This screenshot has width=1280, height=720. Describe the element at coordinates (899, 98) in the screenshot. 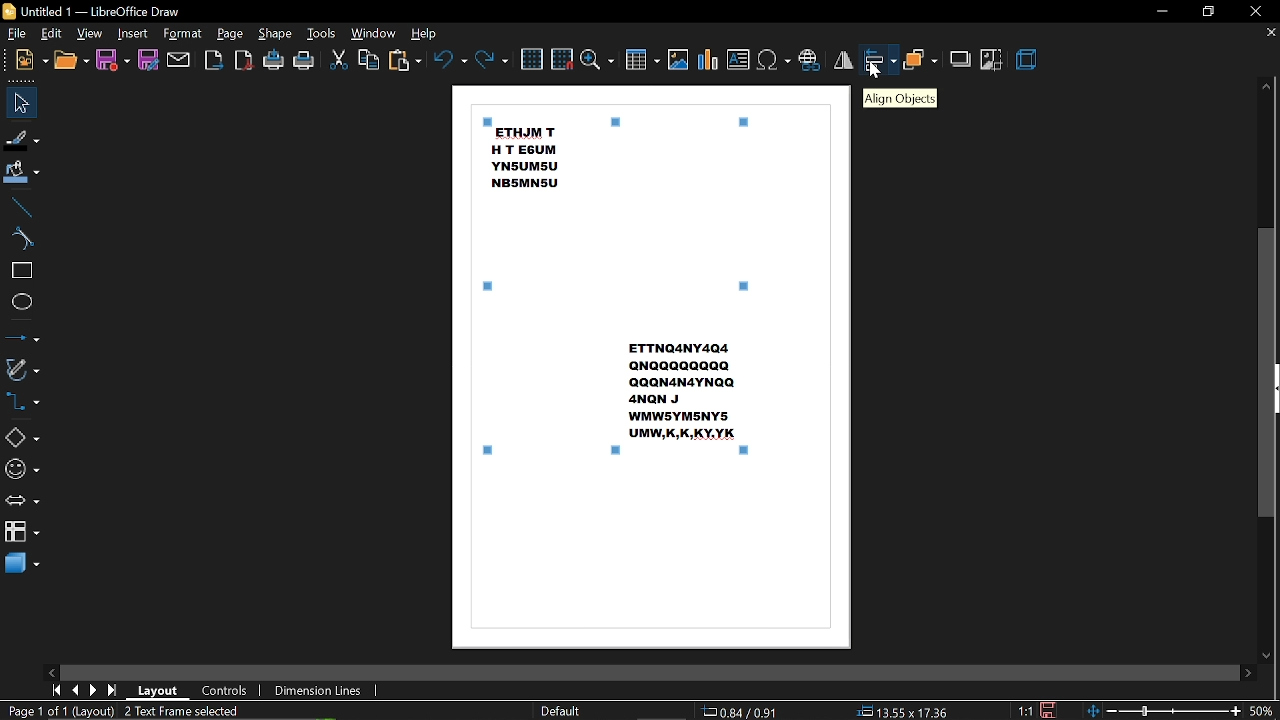

I see `align objects` at that location.